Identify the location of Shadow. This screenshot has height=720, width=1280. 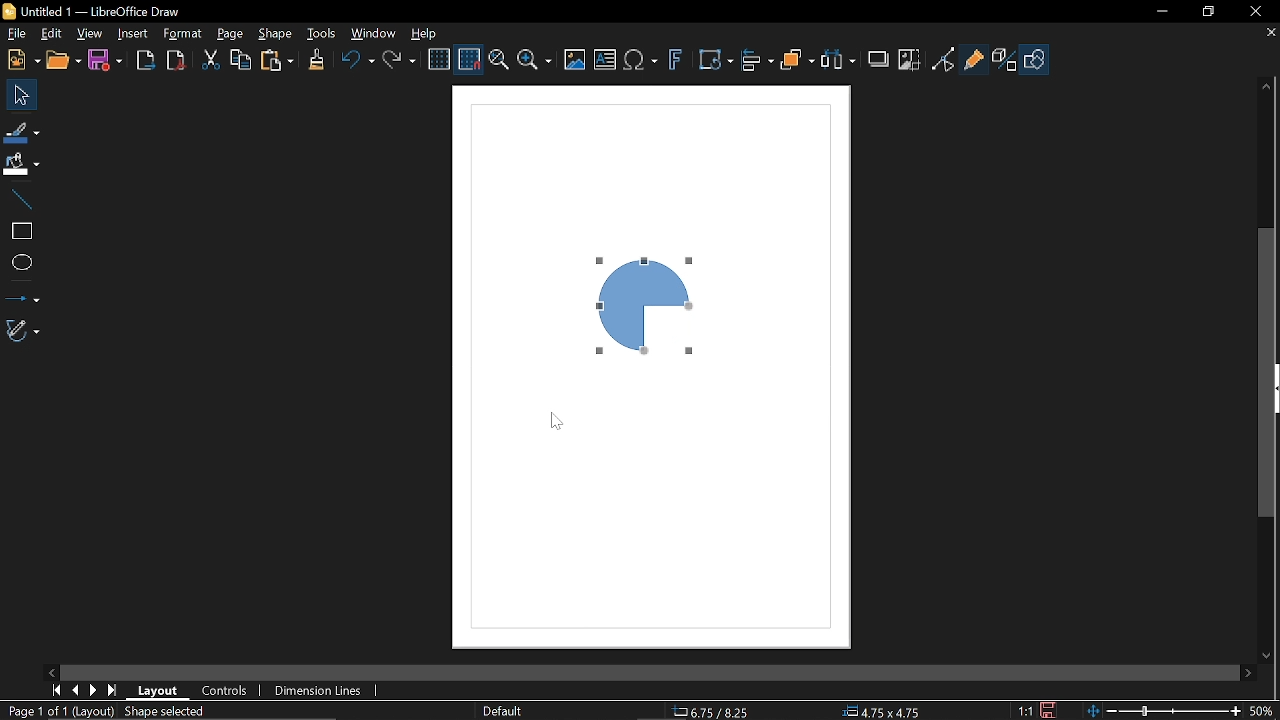
(879, 57).